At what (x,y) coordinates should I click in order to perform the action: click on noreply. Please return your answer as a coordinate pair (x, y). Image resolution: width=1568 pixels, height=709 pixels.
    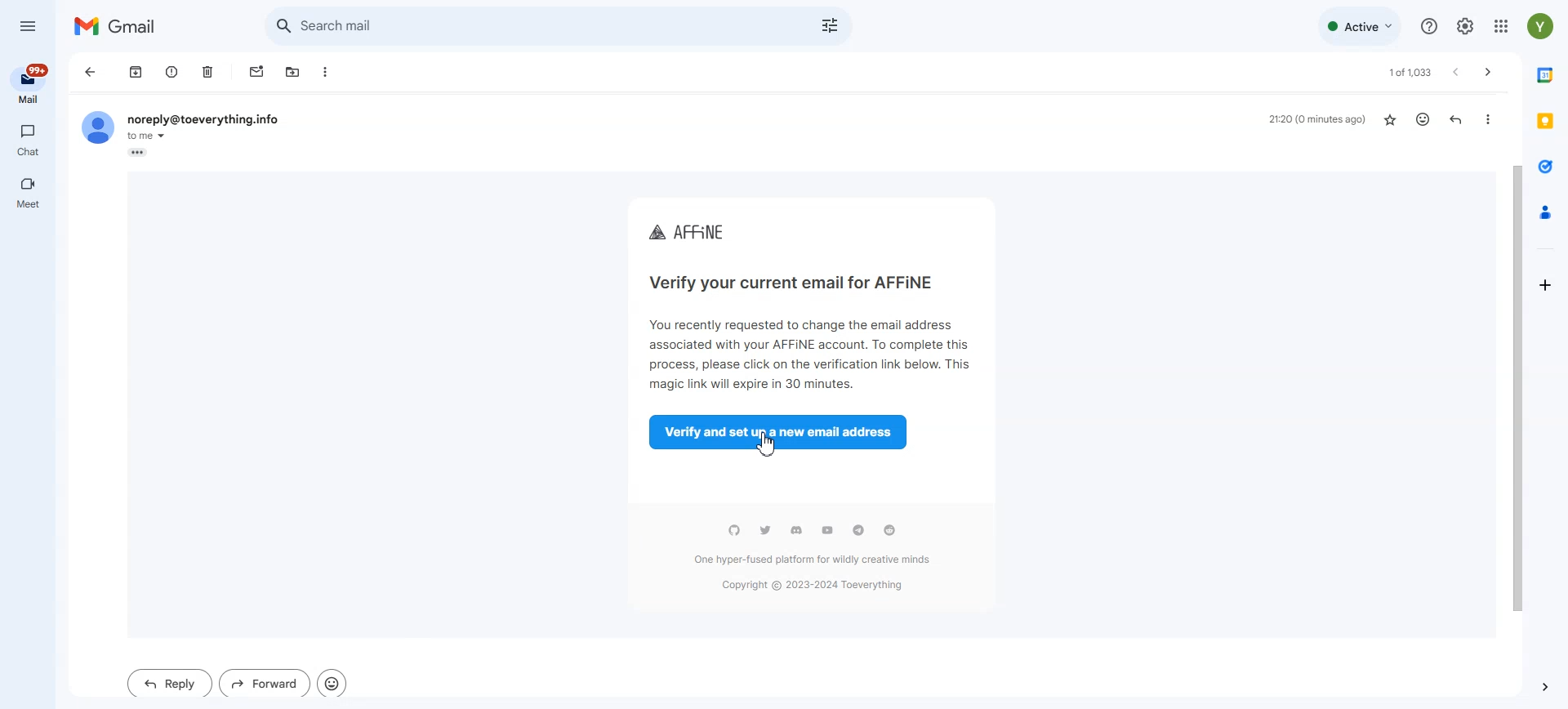
    Looking at the image, I should click on (203, 120).